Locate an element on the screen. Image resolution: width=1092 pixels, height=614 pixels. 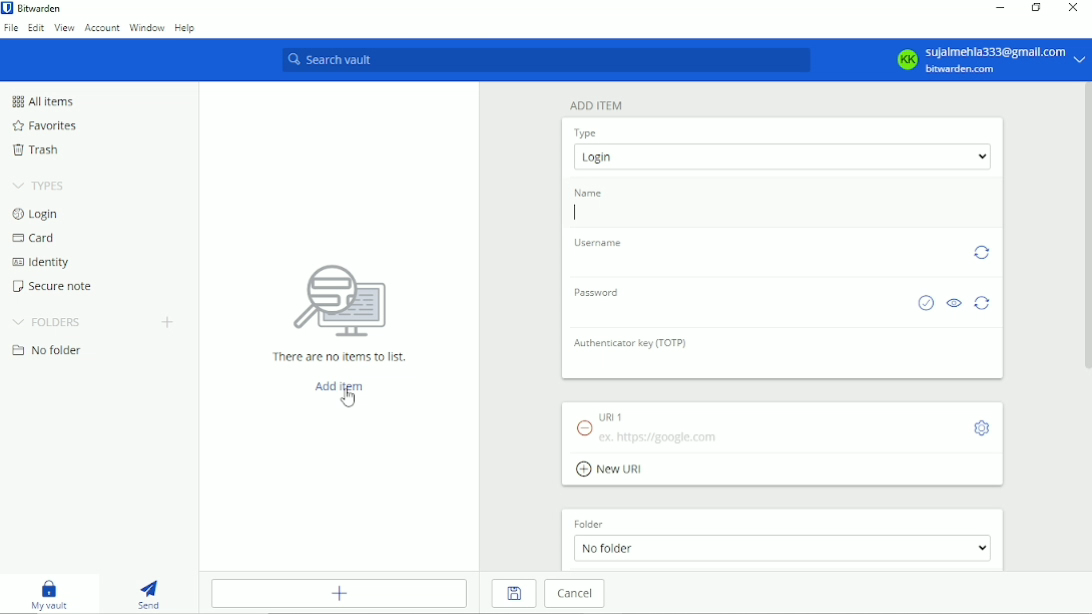
Toggle options is located at coordinates (981, 428).